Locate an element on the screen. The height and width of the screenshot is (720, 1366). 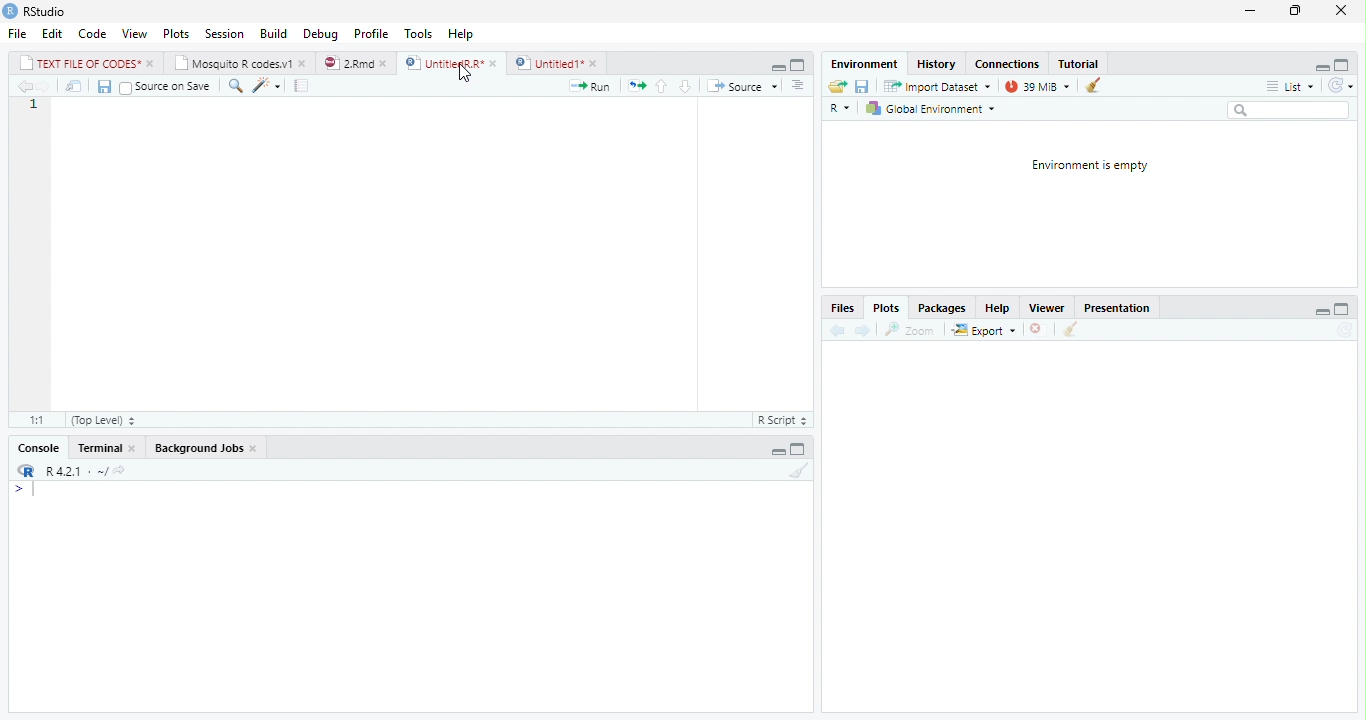
Maximize is located at coordinates (1341, 307).